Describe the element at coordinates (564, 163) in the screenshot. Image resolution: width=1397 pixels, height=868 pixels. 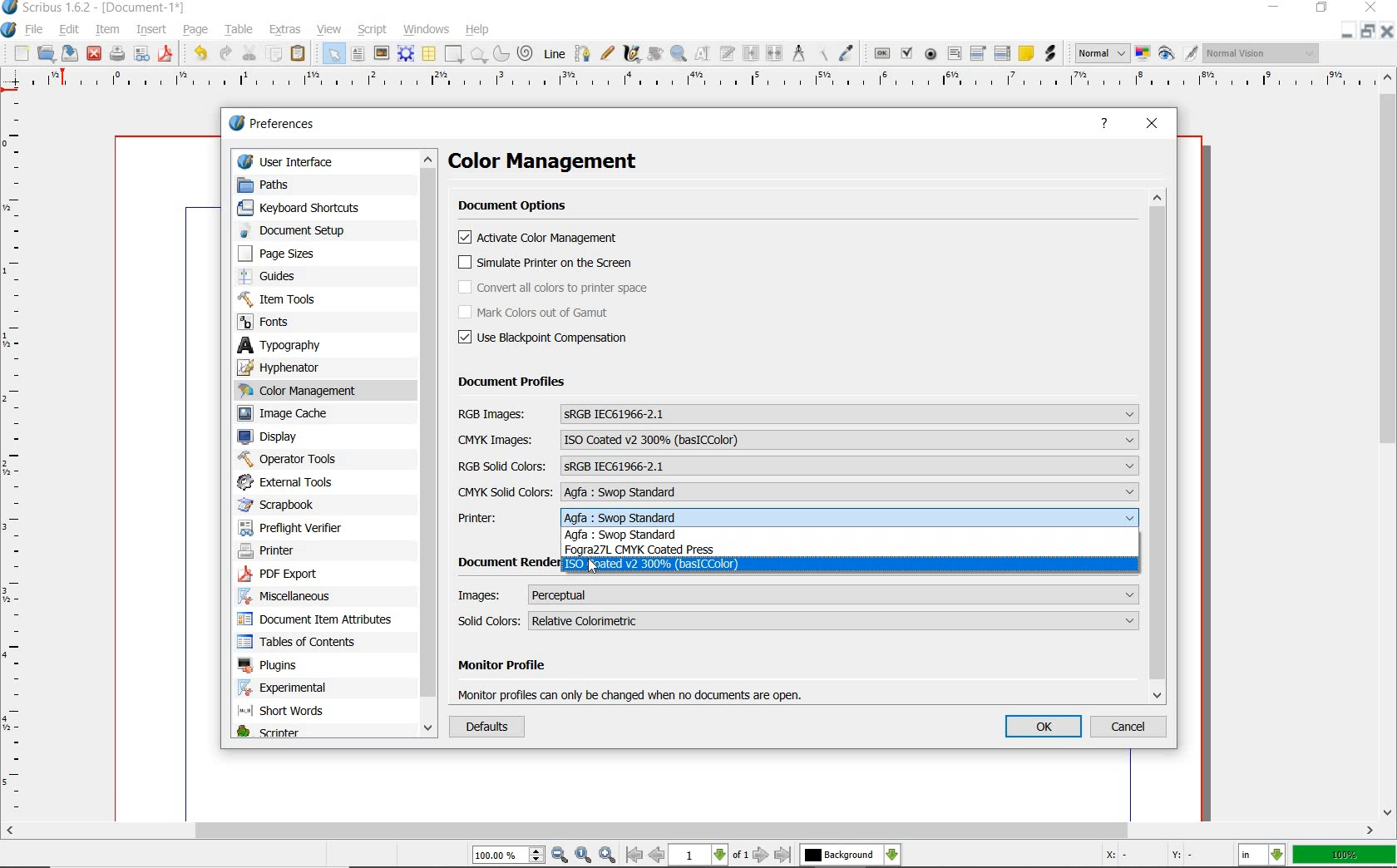
I see `color management` at that location.